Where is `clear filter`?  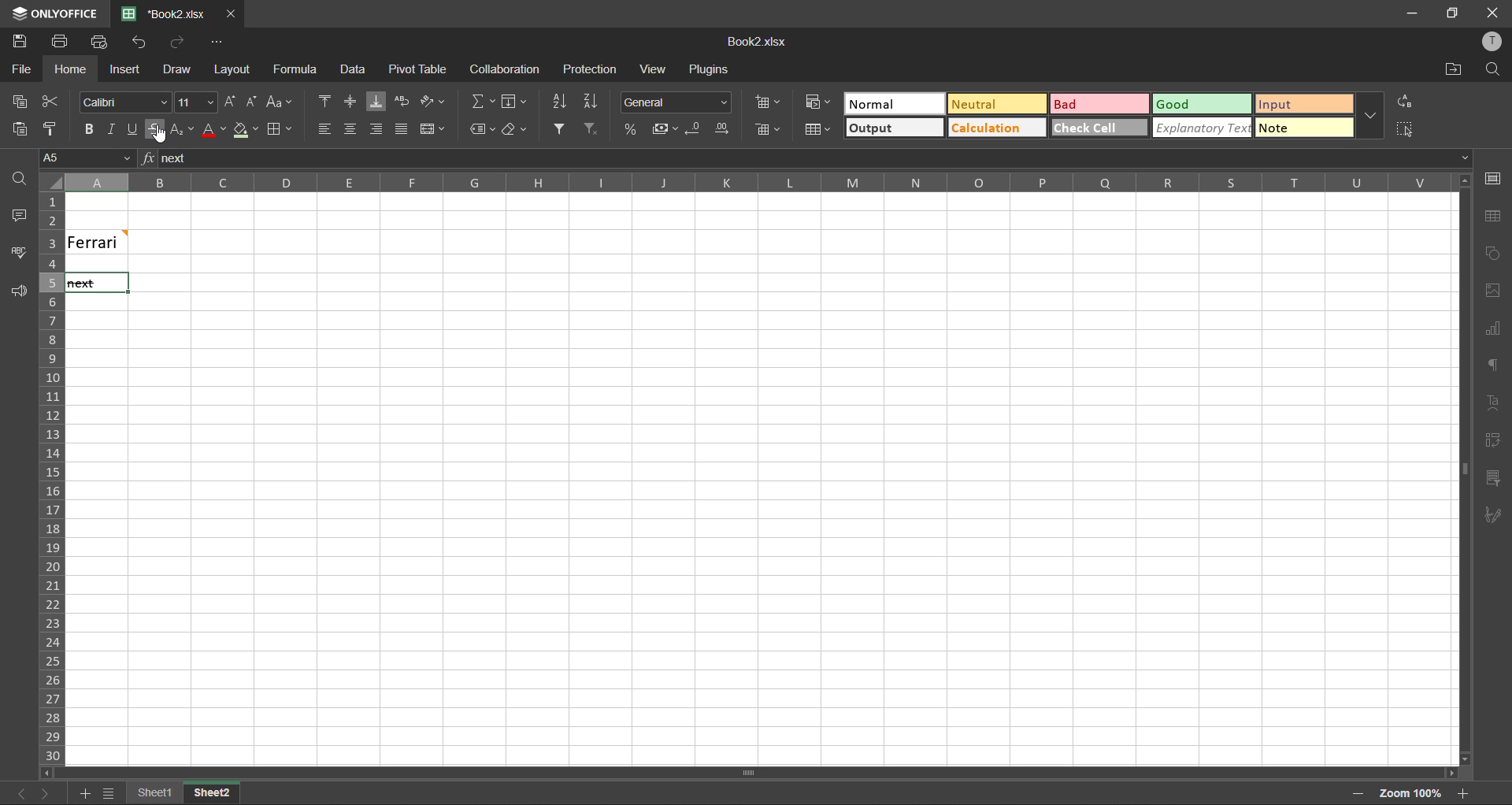 clear filter is located at coordinates (591, 131).